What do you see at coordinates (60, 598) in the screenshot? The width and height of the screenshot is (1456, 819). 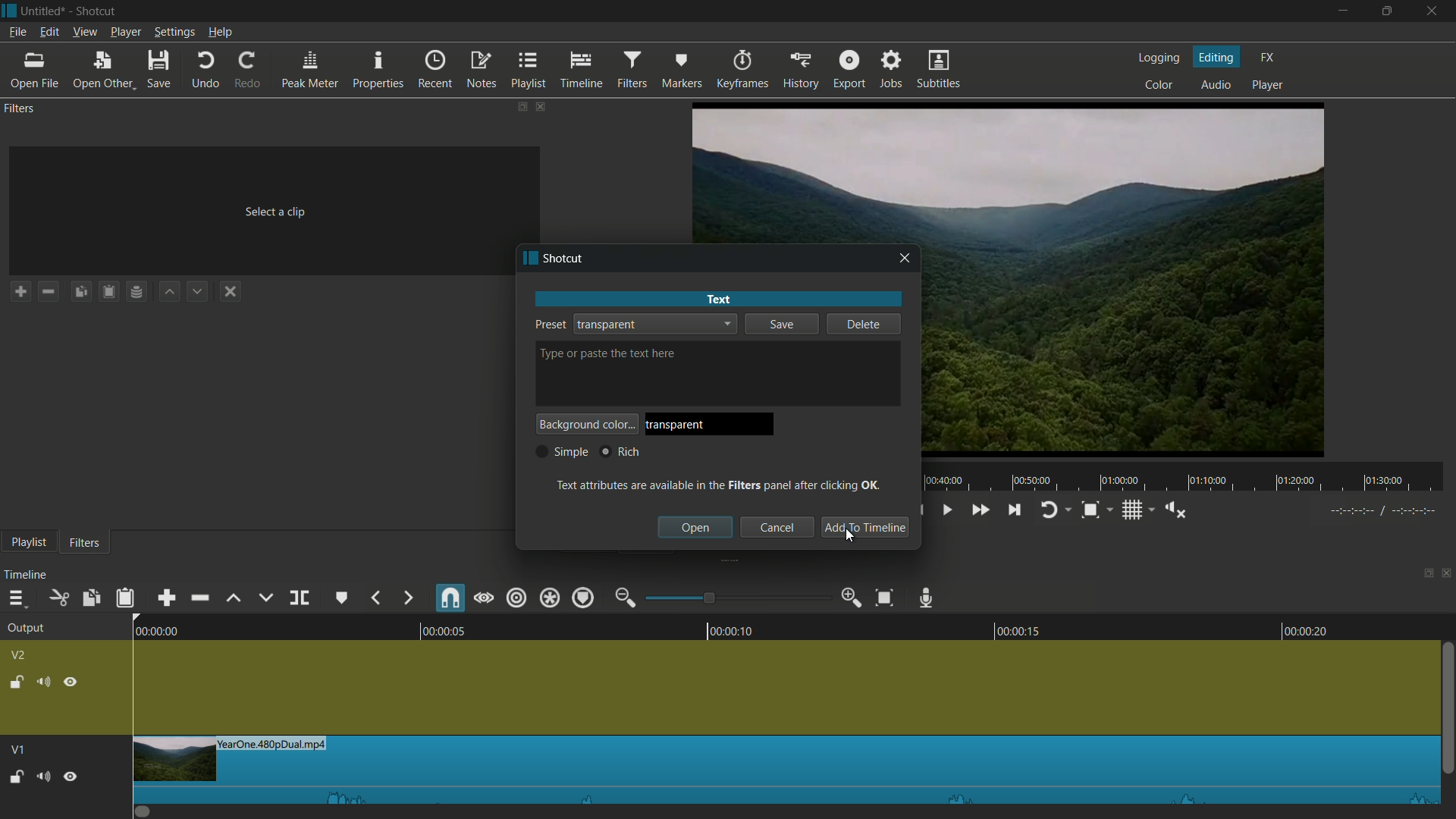 I see `cut` at bounding box center [60, 598].